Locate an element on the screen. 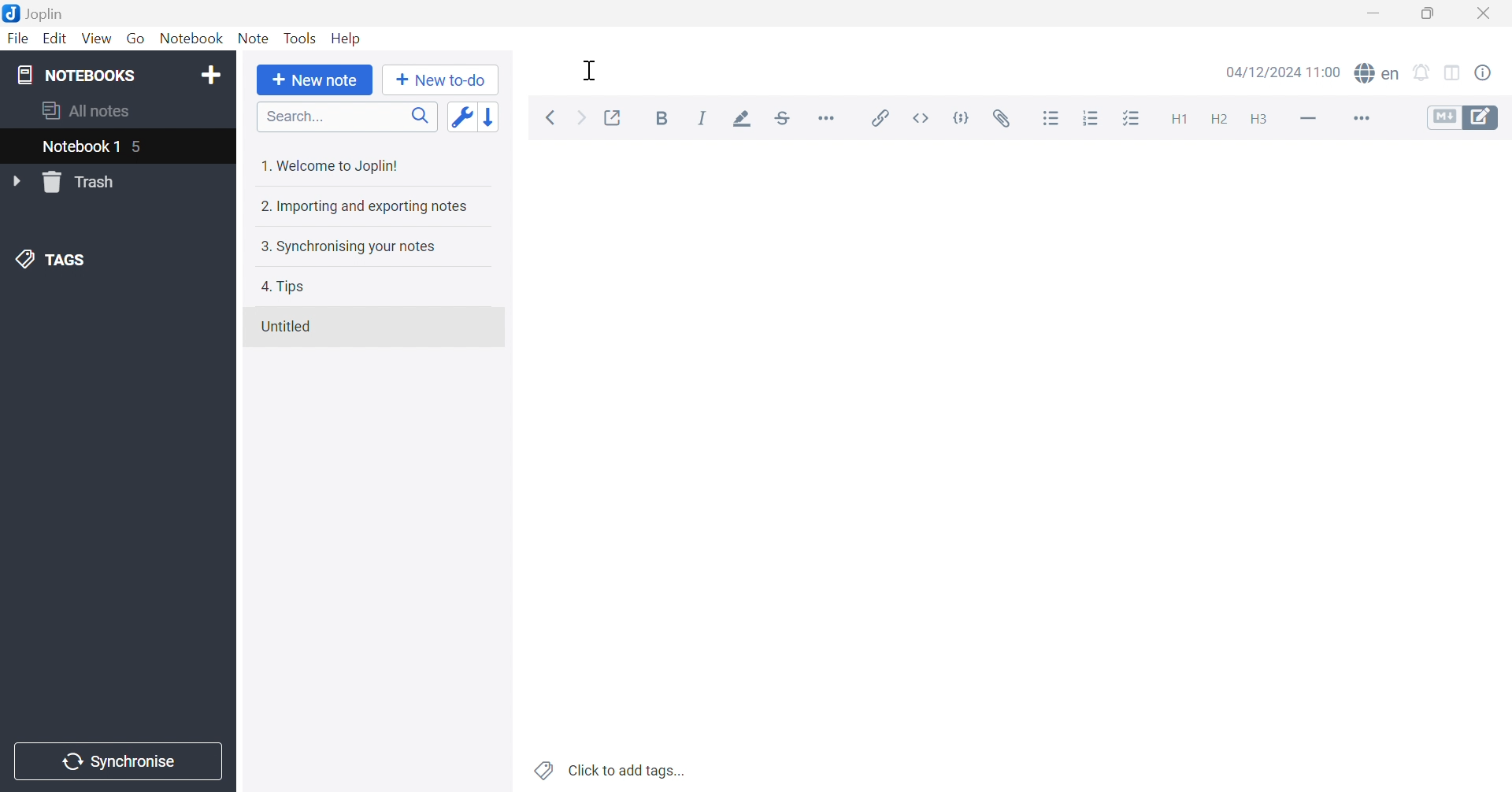 This screenshot has height=792, width=1512. Back is located at coordinates (554, 117).